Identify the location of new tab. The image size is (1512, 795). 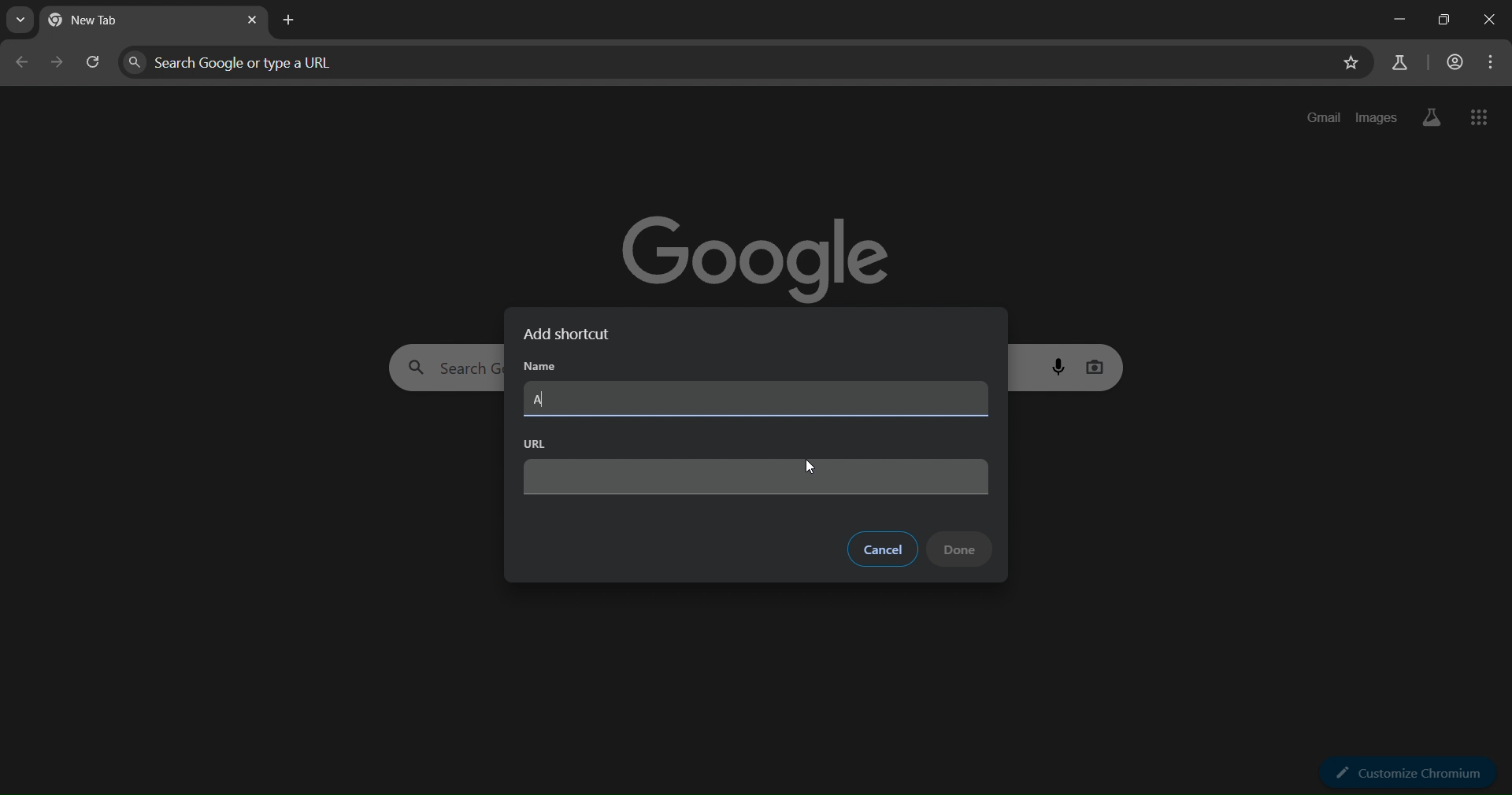
(292, 20).